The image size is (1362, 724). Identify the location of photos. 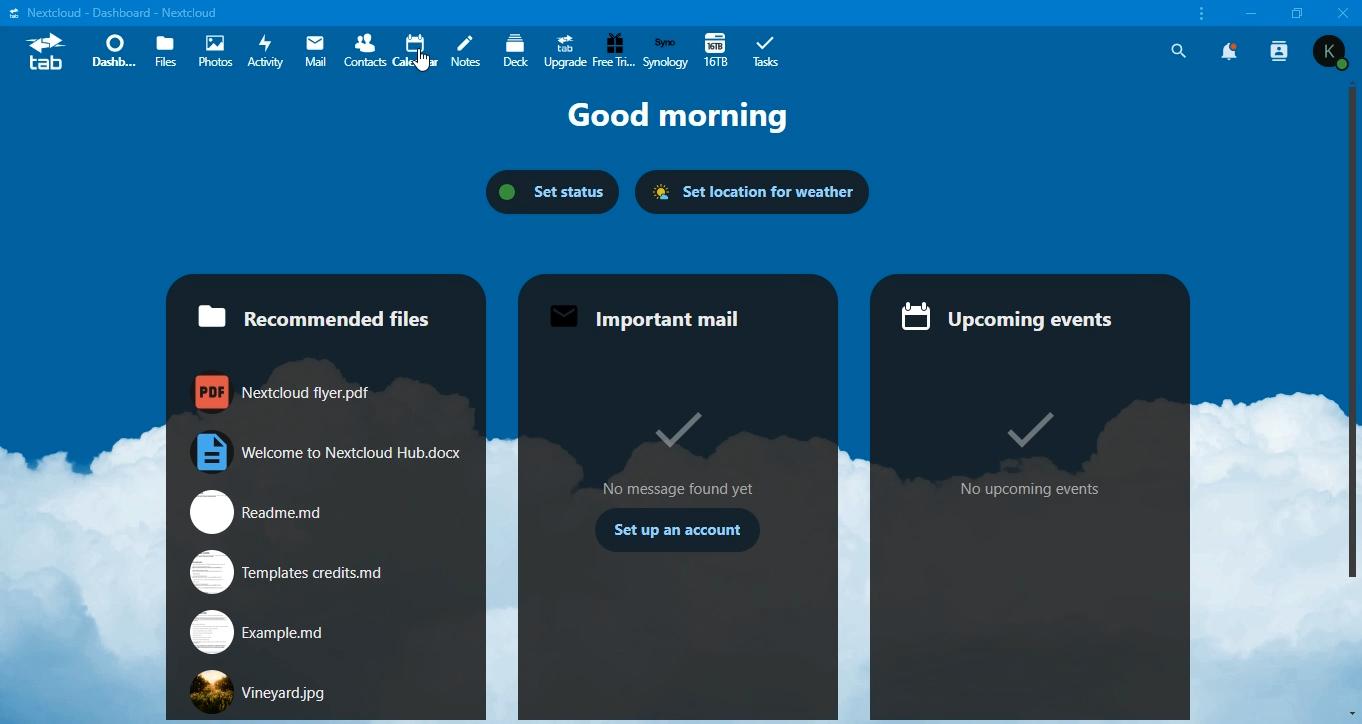
(216, 52).